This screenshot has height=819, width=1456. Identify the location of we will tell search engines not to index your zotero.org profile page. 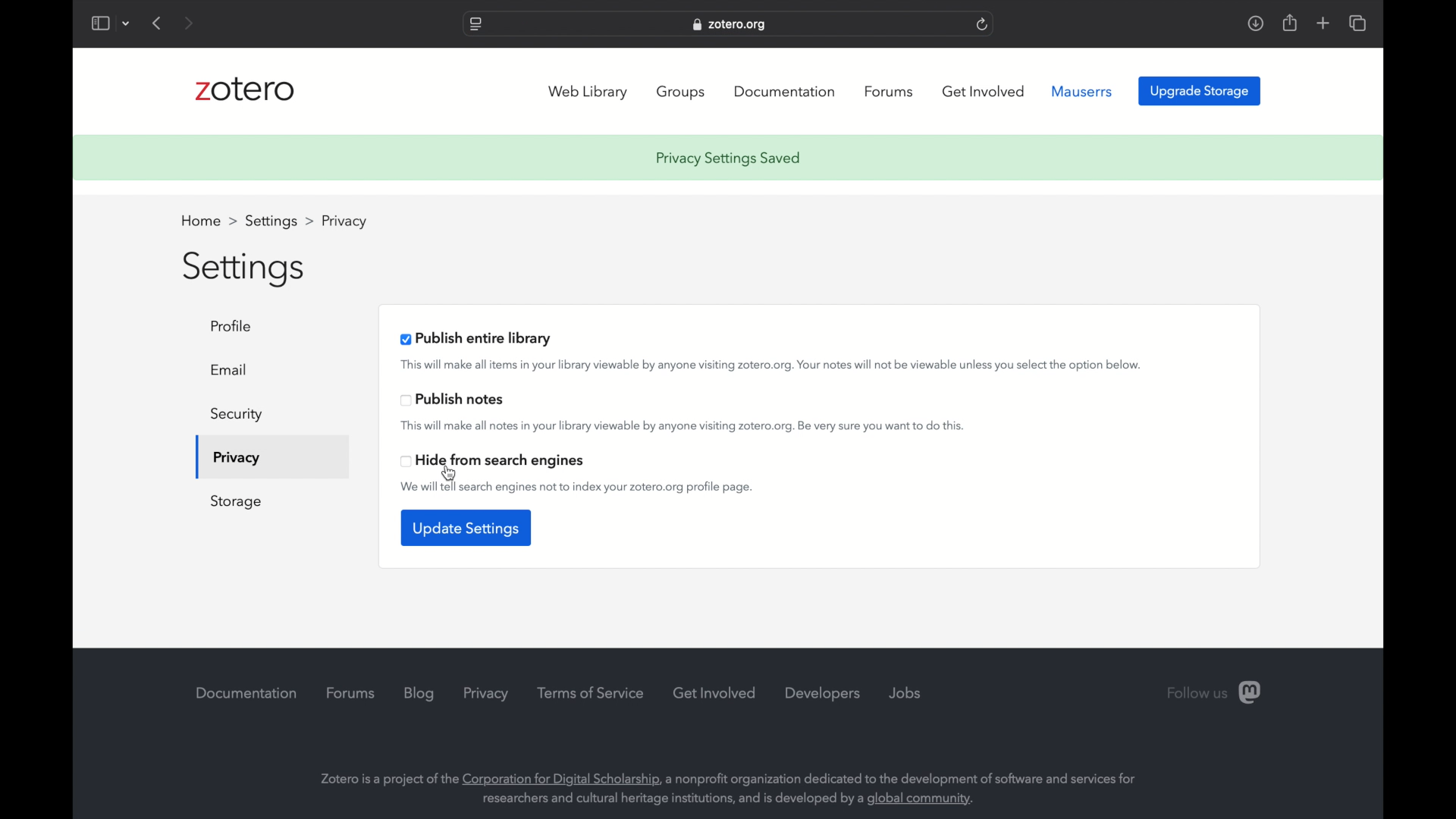
(576, 488).